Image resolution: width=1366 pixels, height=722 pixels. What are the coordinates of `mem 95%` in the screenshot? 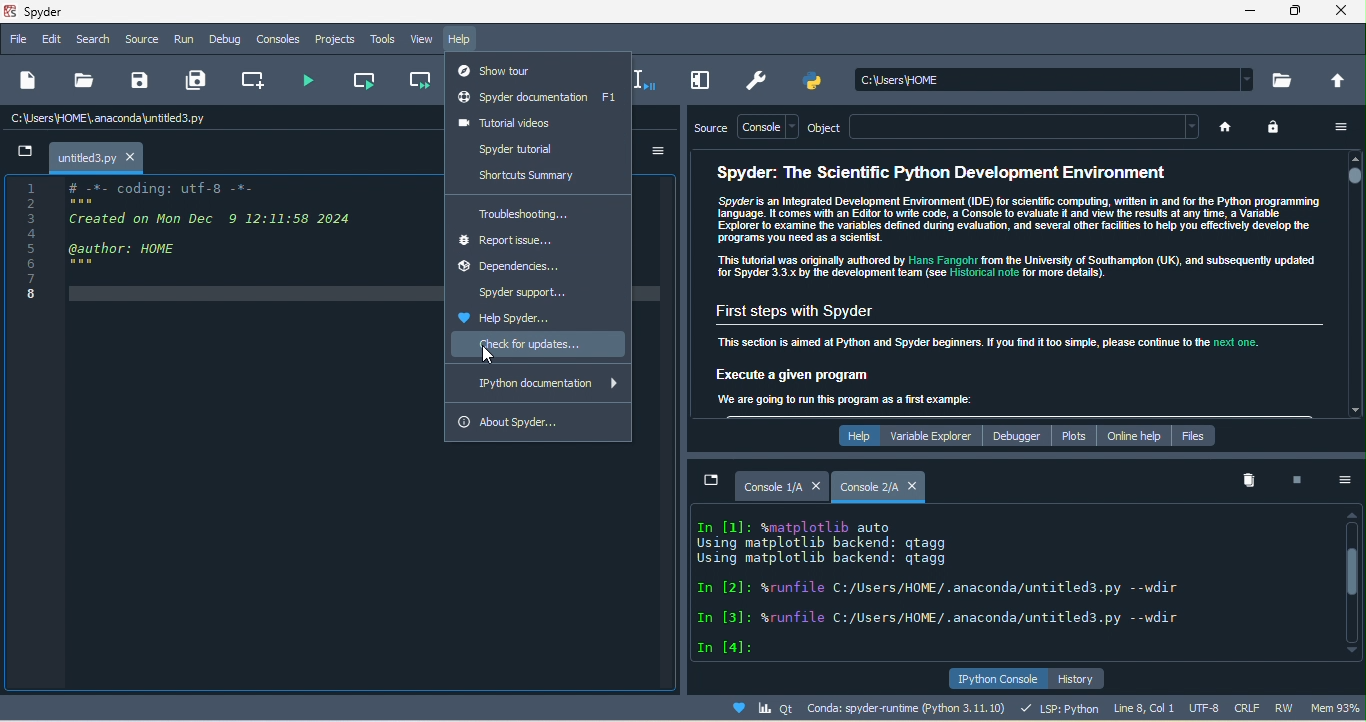 It's located at (1335, 709).